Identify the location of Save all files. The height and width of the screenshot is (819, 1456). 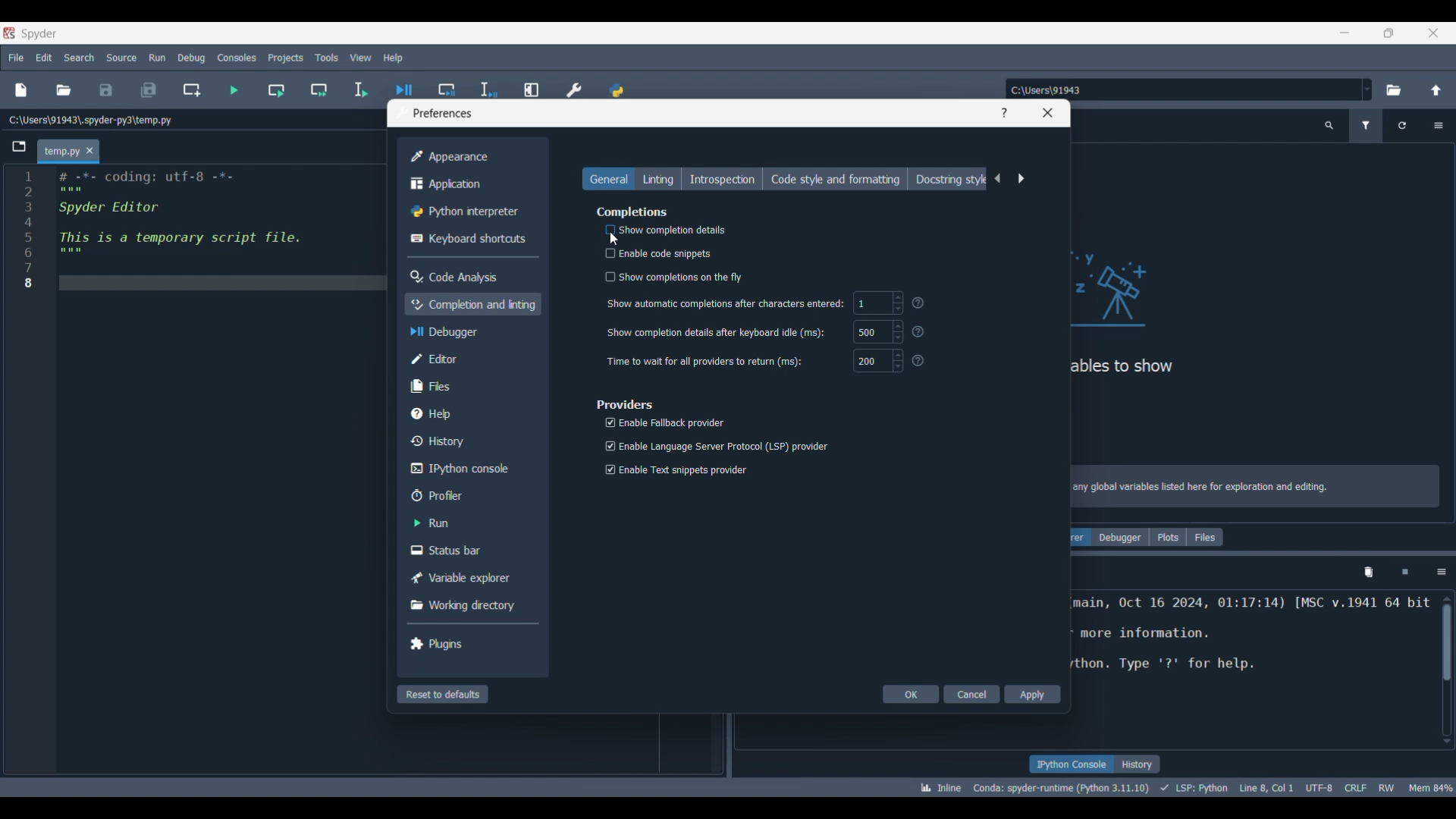
(149, 90).